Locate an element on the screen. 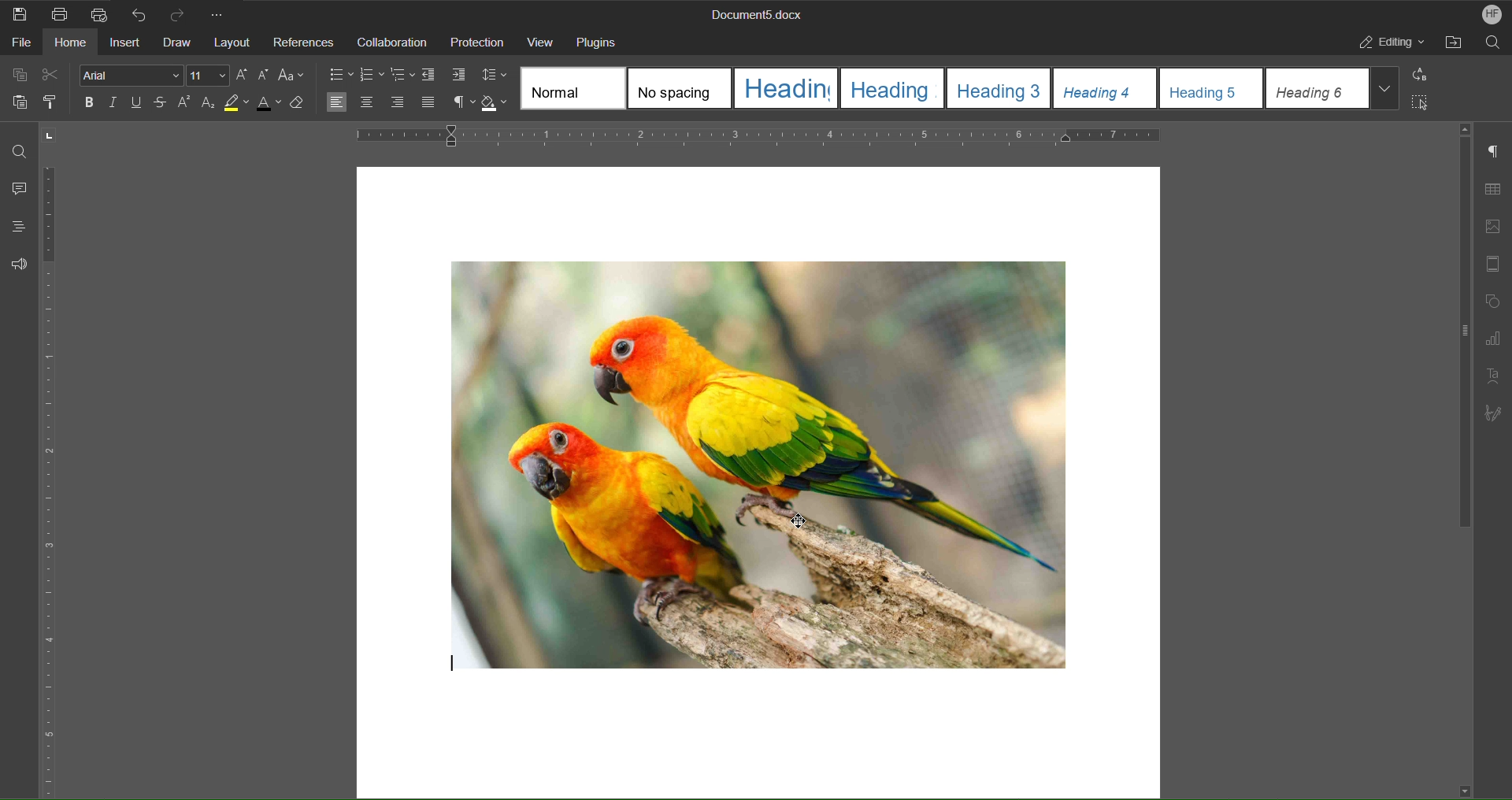  Alignment is located at coordinates (380, 103).